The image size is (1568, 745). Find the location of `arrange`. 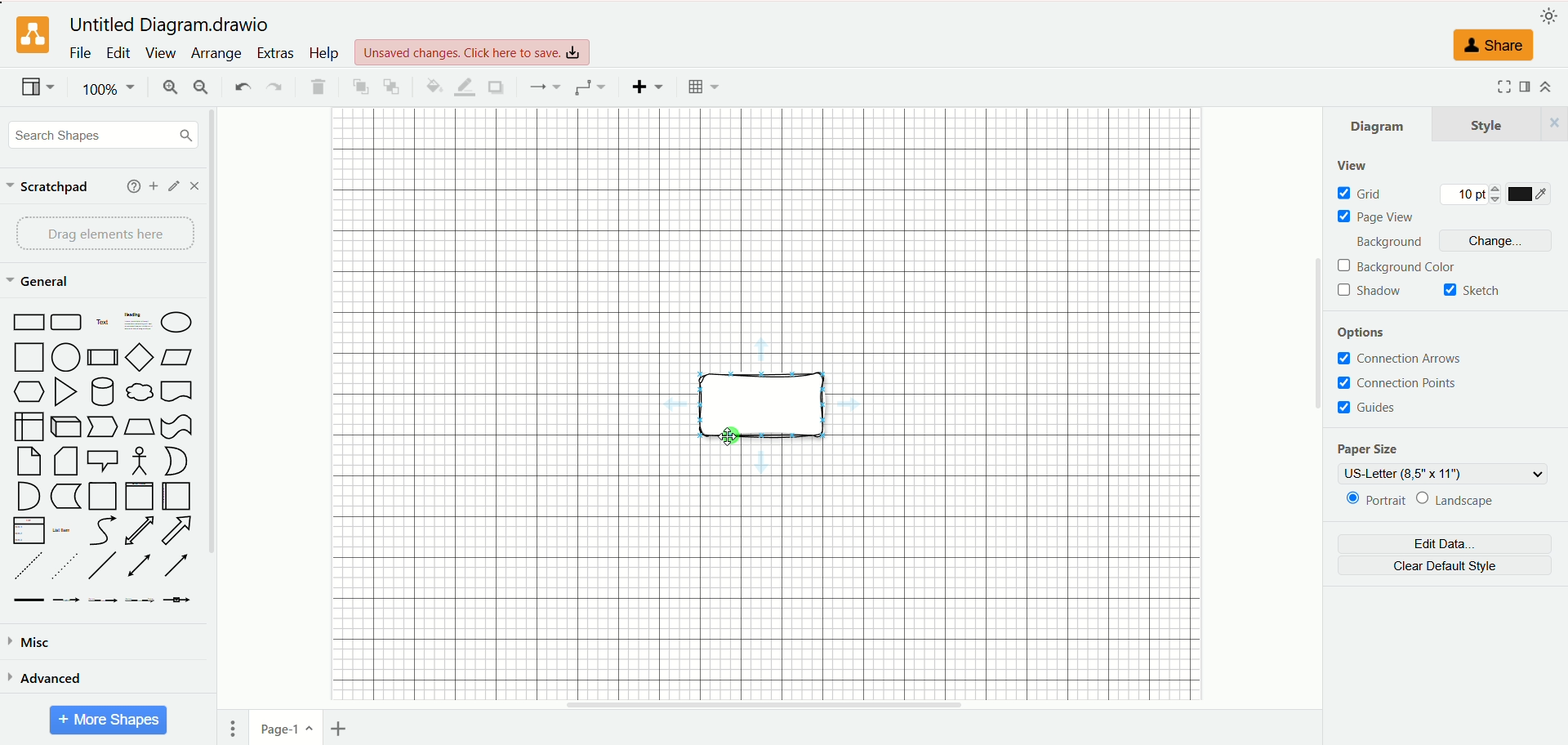

arrange is located at coordinates (218, 54).